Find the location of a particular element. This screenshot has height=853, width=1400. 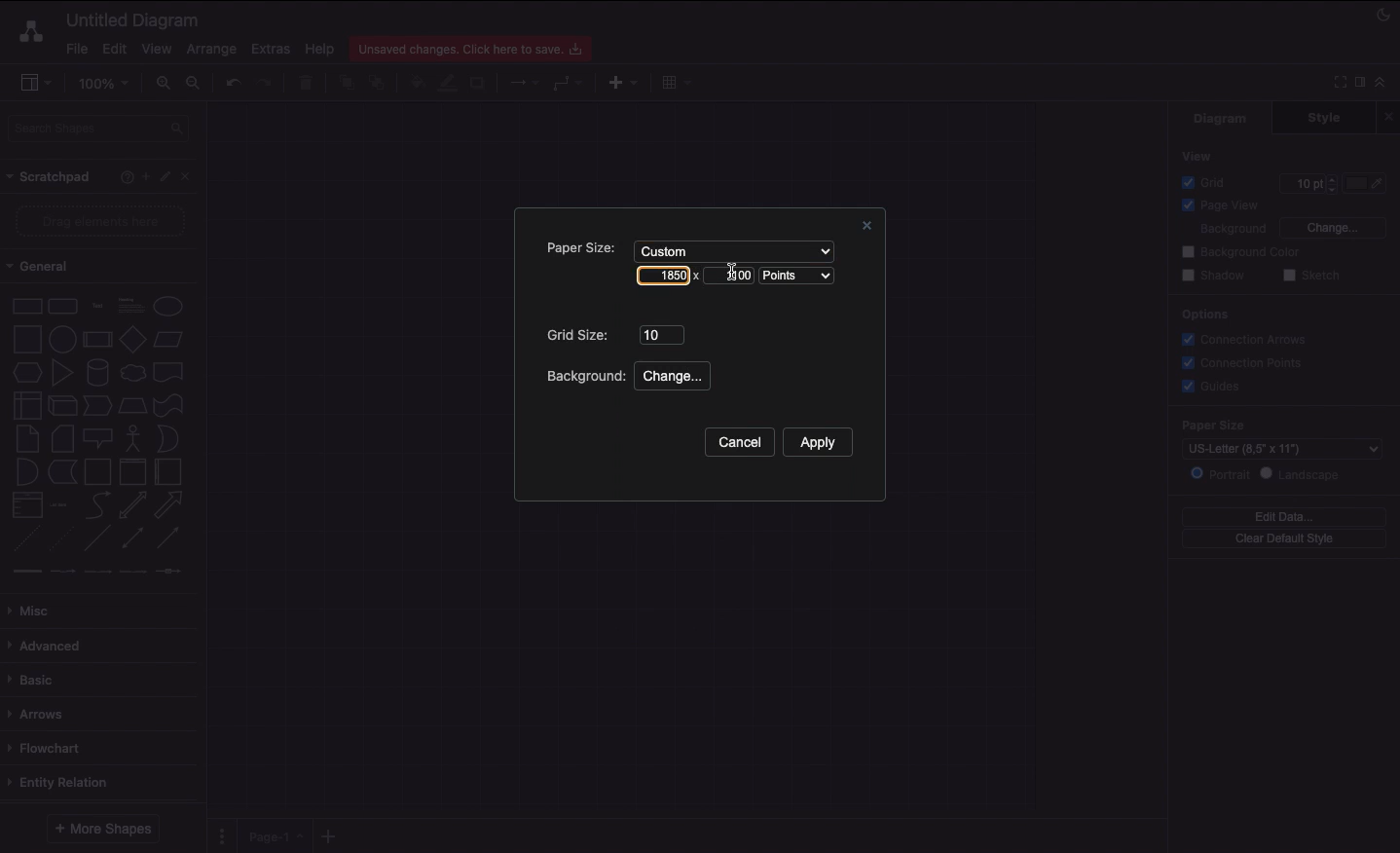

Edit is located at coordinates (167, 177).